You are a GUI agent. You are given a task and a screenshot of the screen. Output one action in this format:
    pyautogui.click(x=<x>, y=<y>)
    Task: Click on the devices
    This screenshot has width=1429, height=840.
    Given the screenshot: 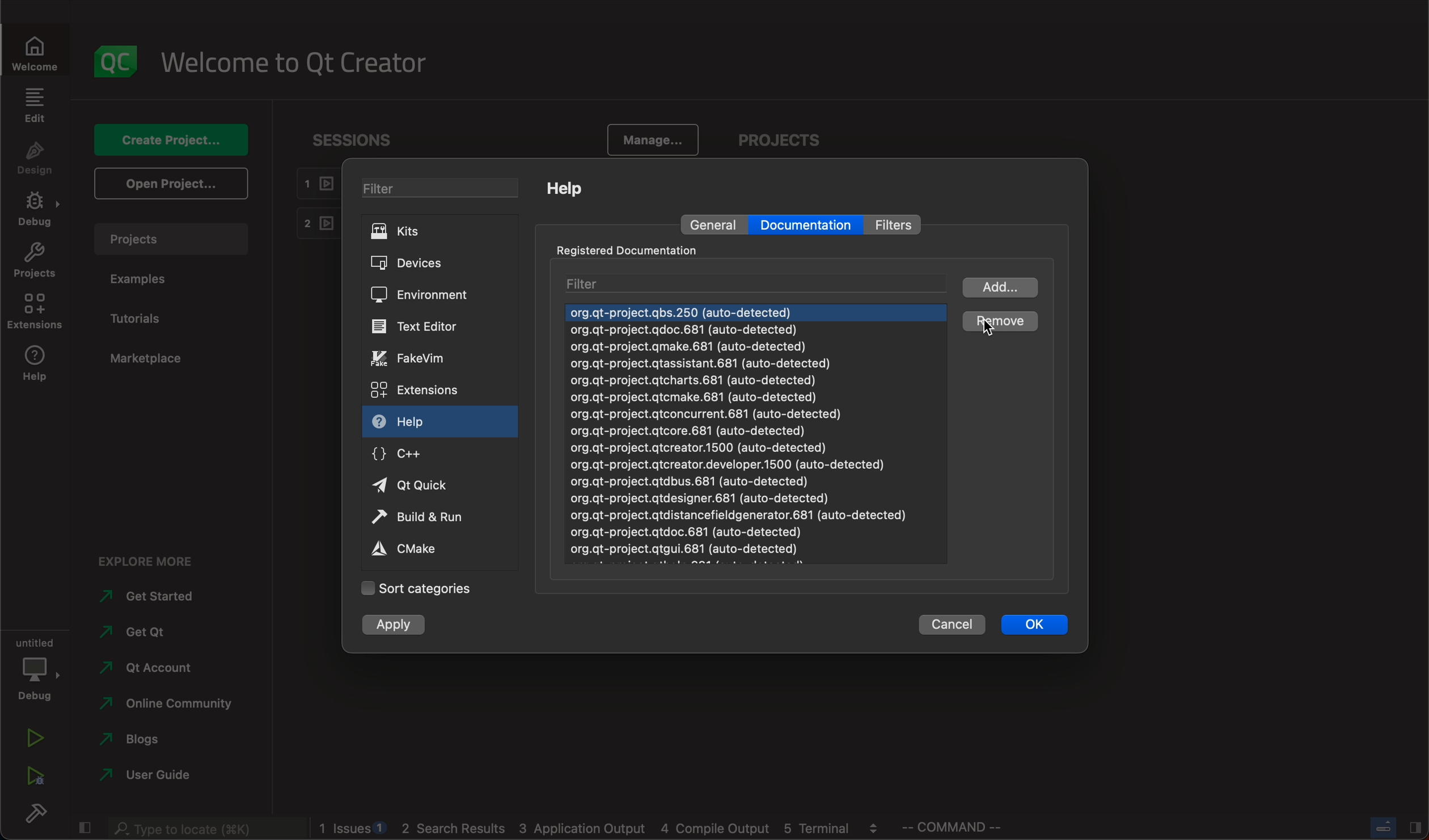 What is the action you would take?
    pyautogui.click(x=434, y=262)
    